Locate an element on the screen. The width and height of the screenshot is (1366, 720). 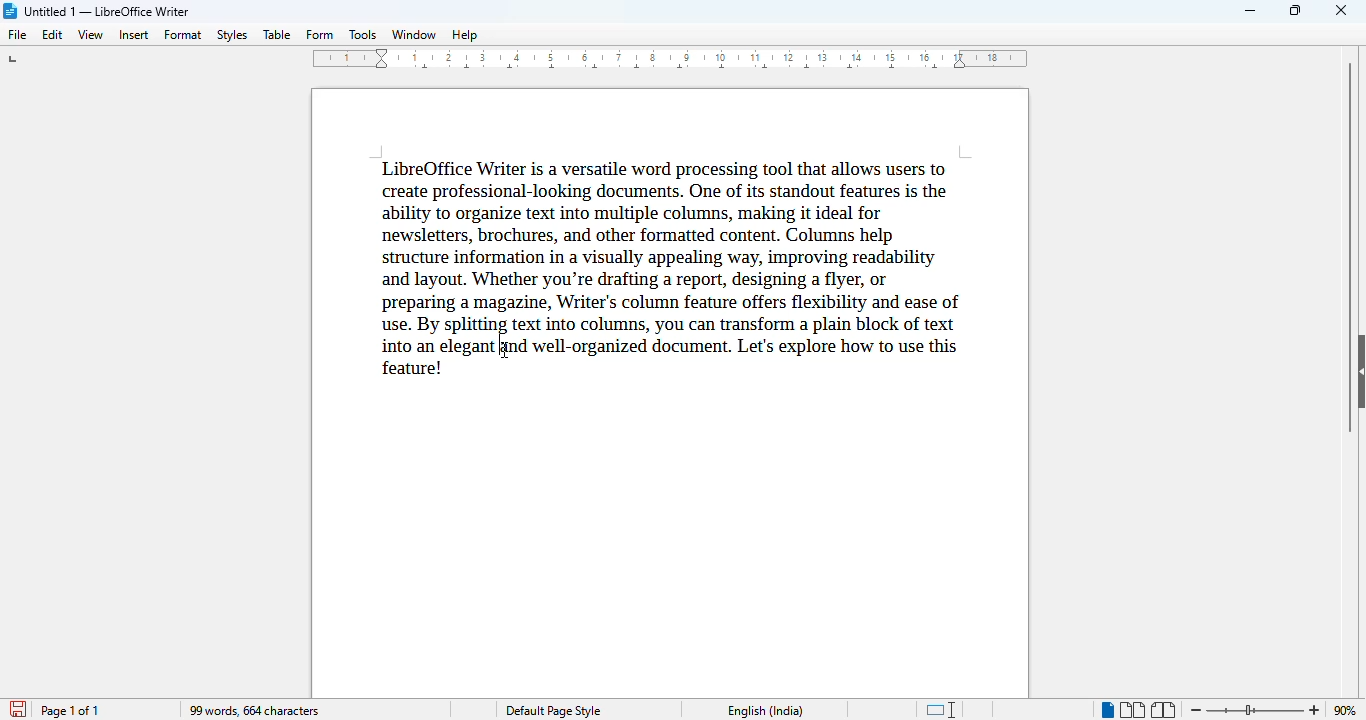
view is located at coordinates (90, 35).